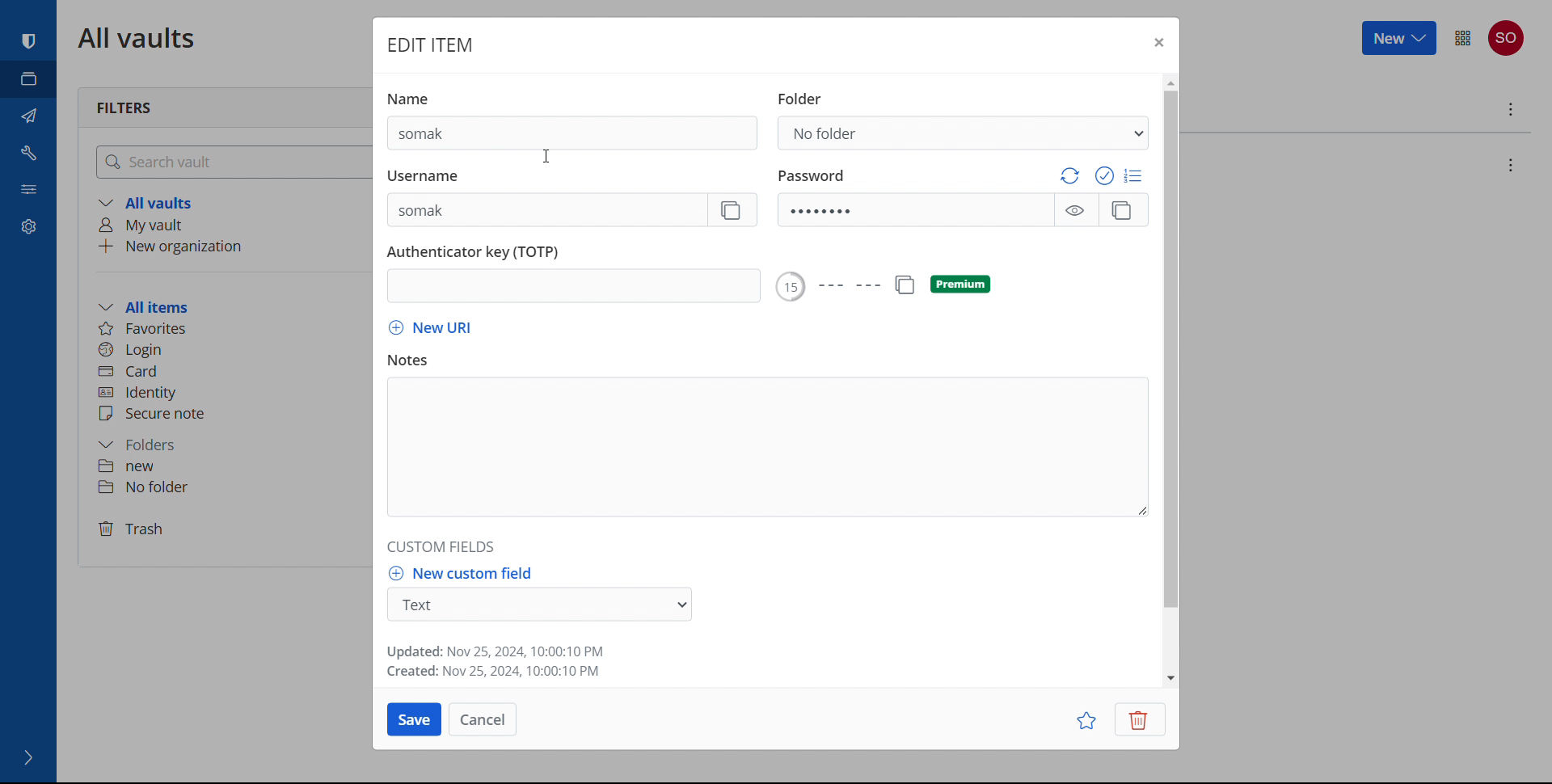  Describe the element at coordinates (960, 285) in the screenshot. I see `premium` at that location.